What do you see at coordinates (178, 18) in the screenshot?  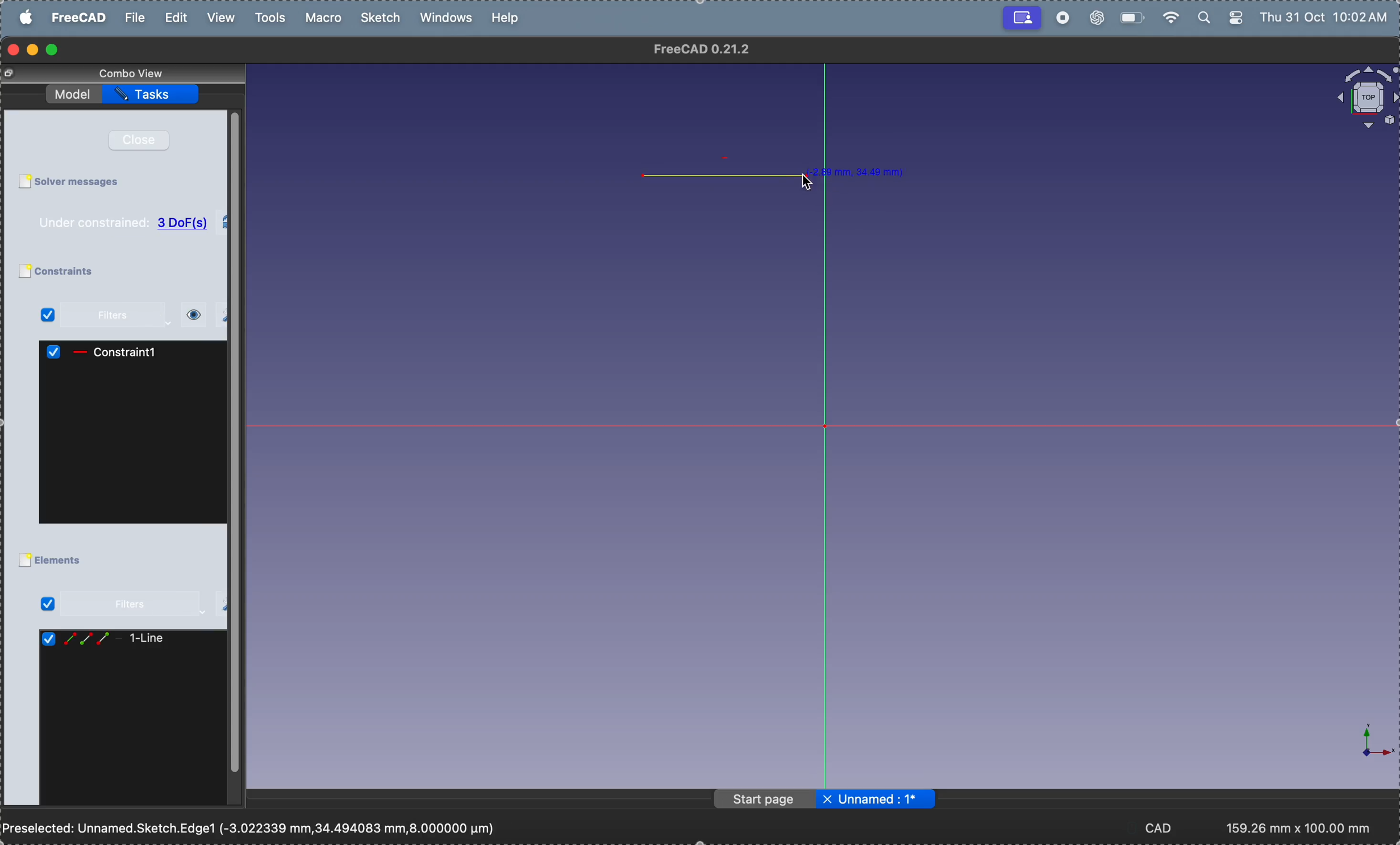 I see `edit` at bounding box center [178, 18].